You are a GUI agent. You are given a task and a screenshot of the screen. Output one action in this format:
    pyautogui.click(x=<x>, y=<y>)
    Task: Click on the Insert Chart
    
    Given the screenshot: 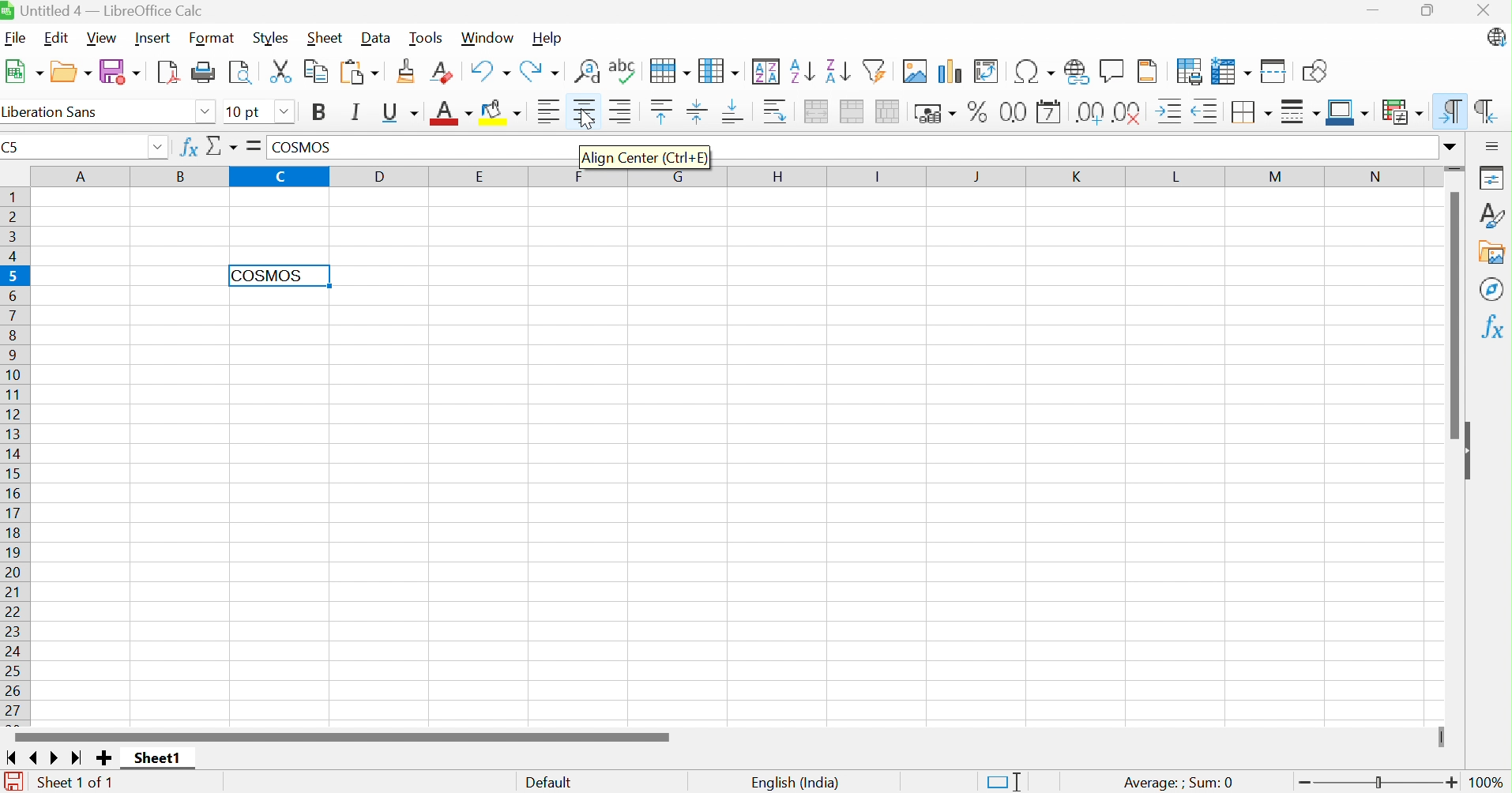 What is the action you would take?
    pyautogui.click(x=950, y=71)
    